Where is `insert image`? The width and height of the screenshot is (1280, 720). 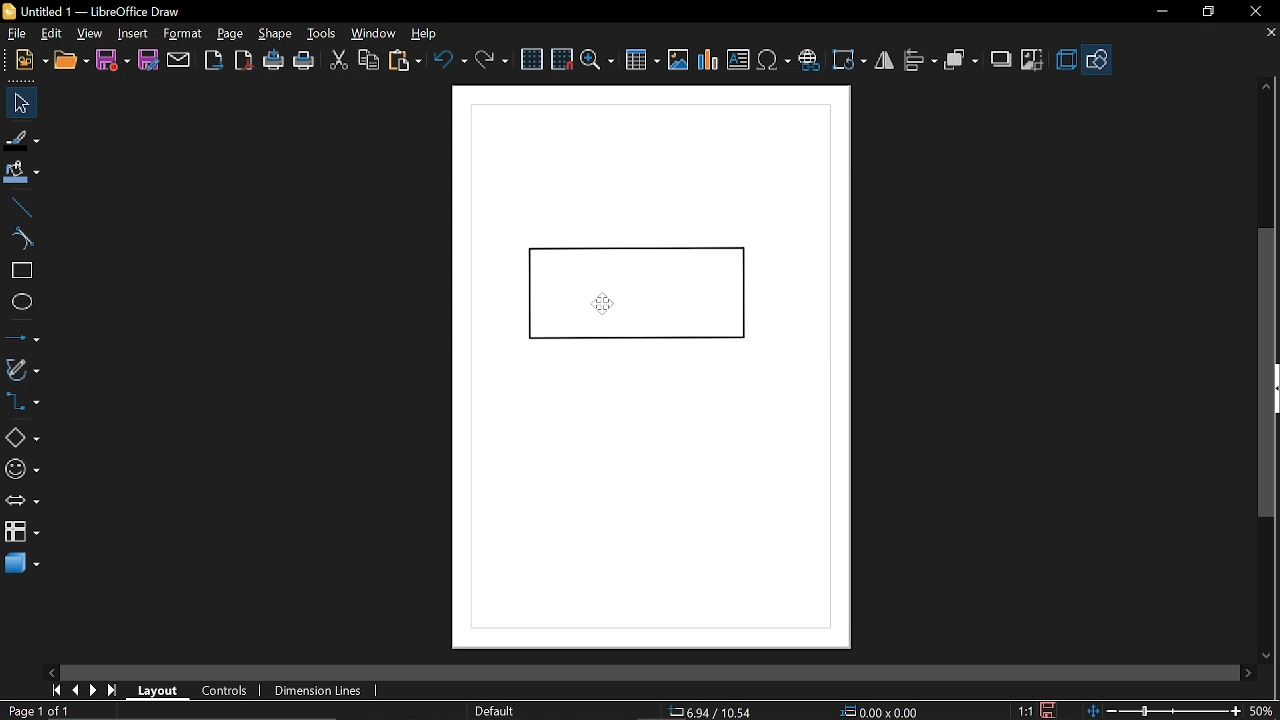
insert image is located at coordinates (677, 58).